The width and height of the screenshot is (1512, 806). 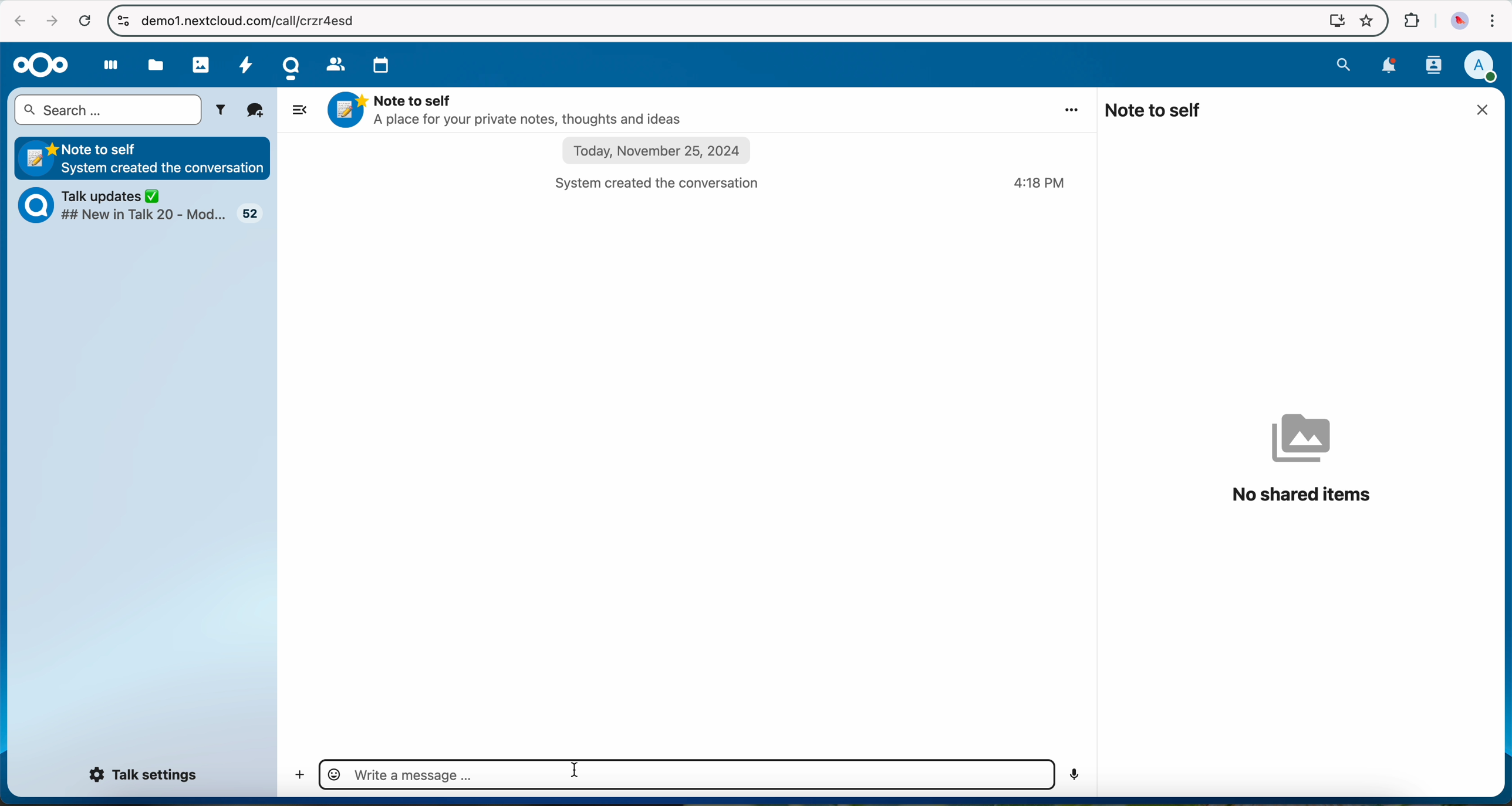 What do you see at coordinates (248, 69) in the screenshot?
I see `activity` at bounding box center [248, 69].